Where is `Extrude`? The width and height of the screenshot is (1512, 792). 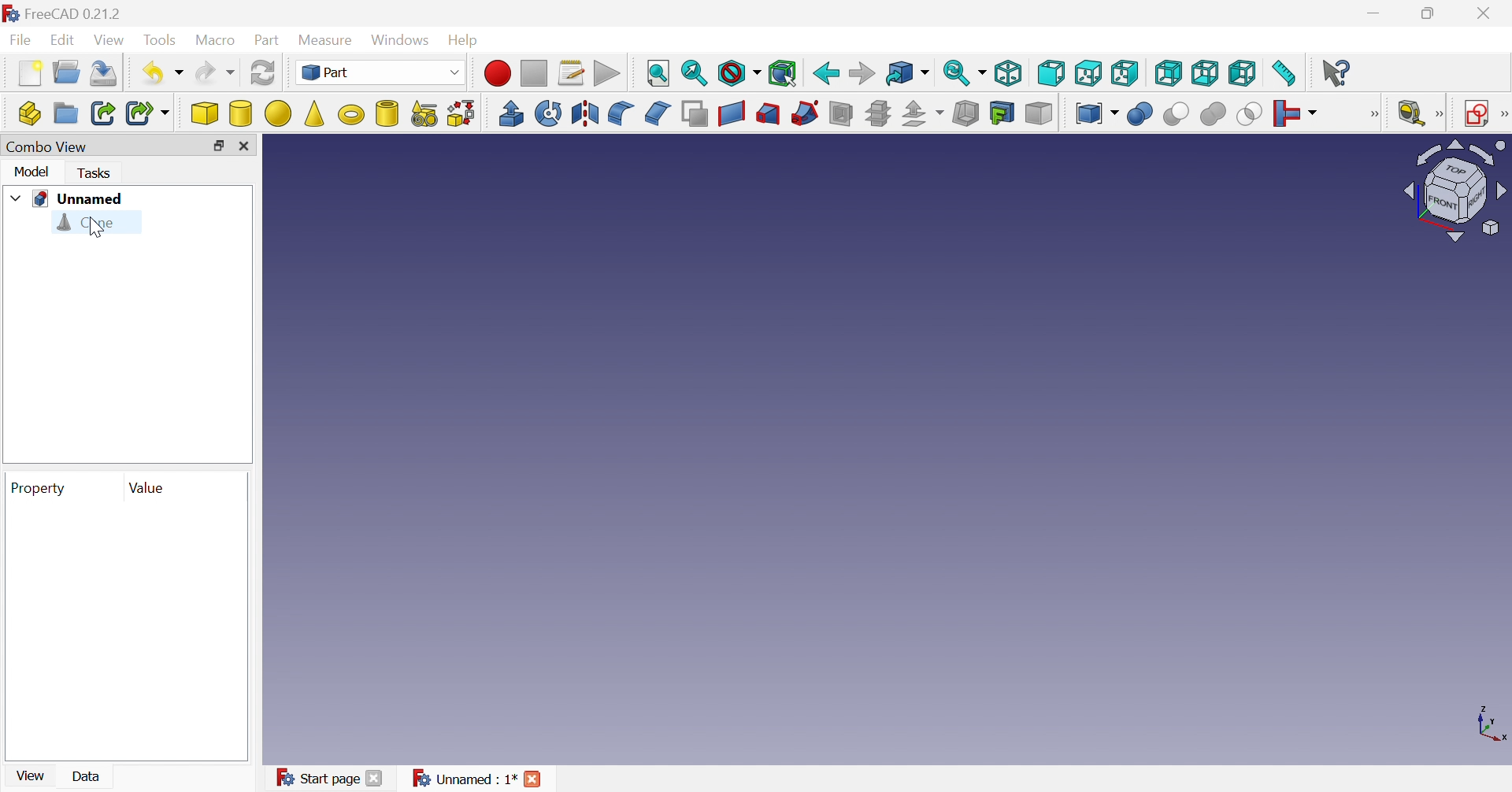 Extrude is located at coordinates (512, 113).